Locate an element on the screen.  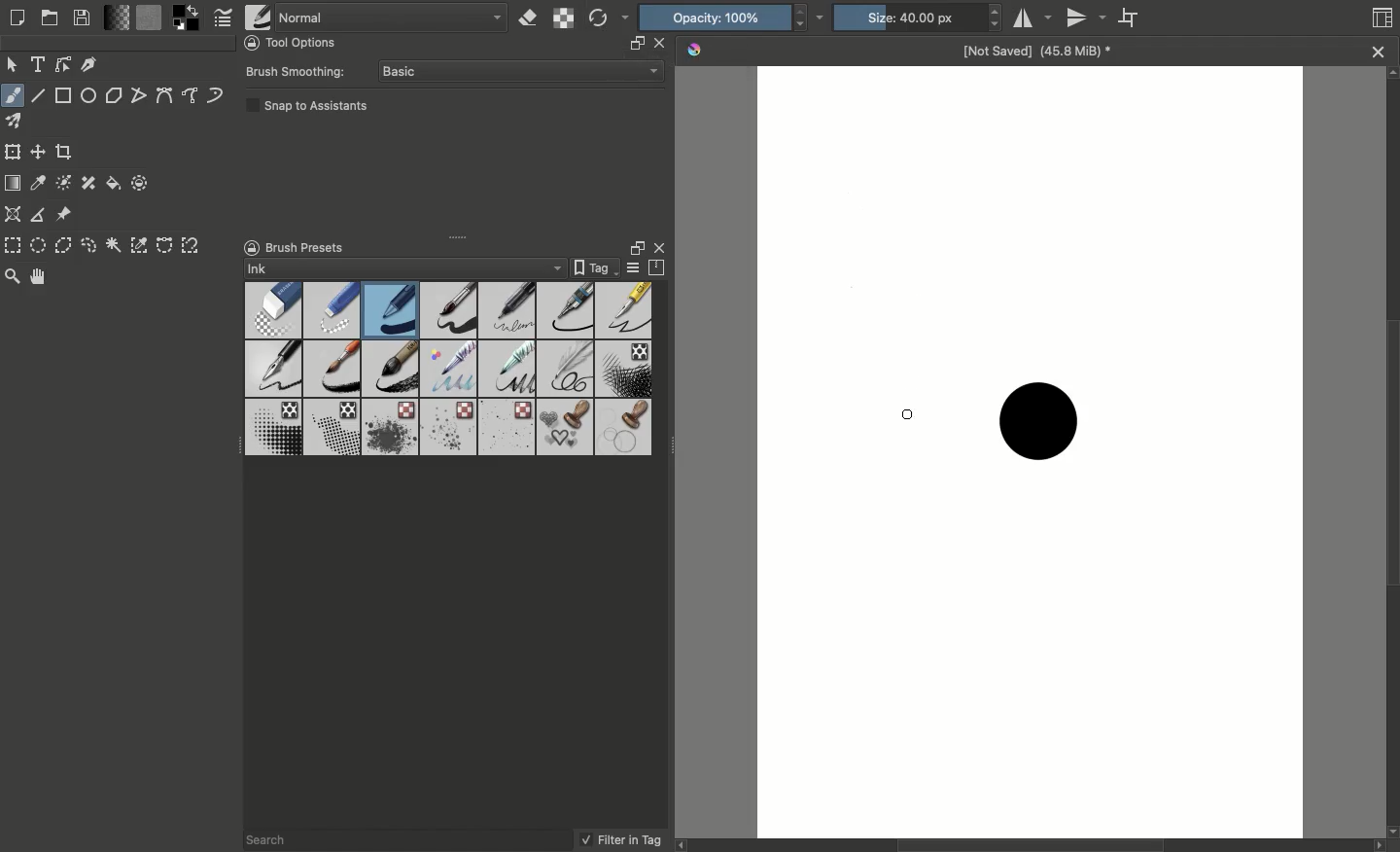
Measure distance is located at coordinates (39, 215).